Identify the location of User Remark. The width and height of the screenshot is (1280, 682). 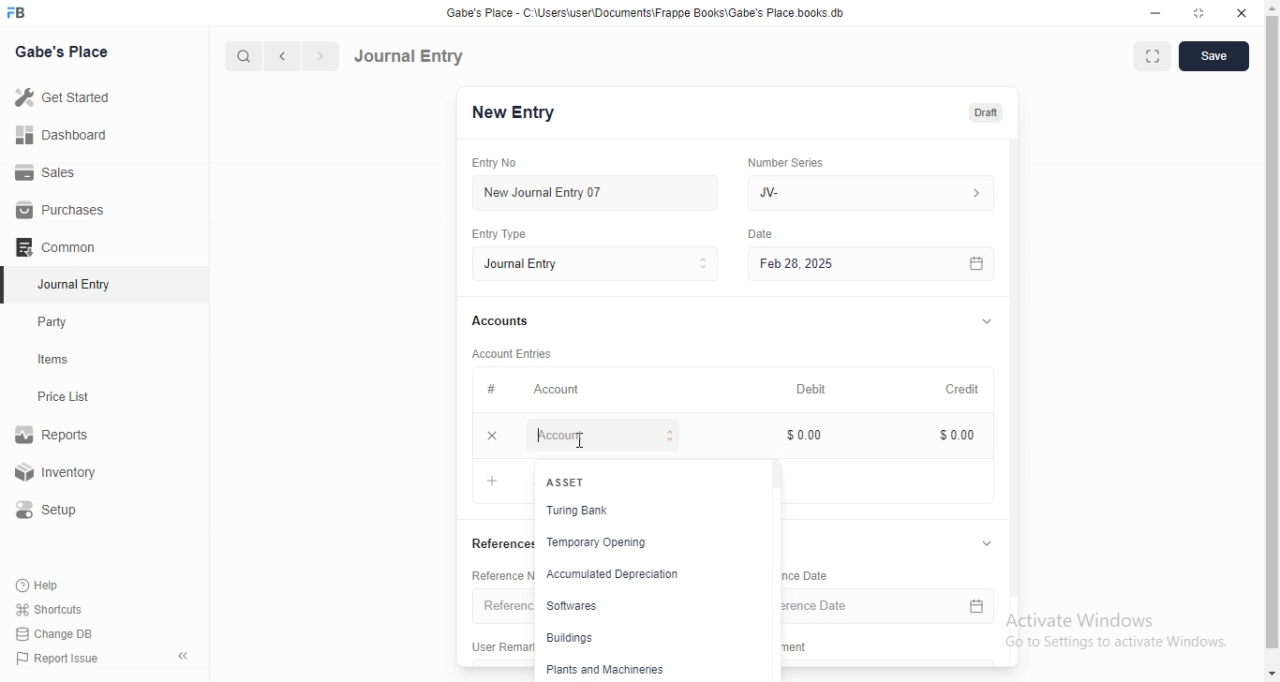
(496, 645).